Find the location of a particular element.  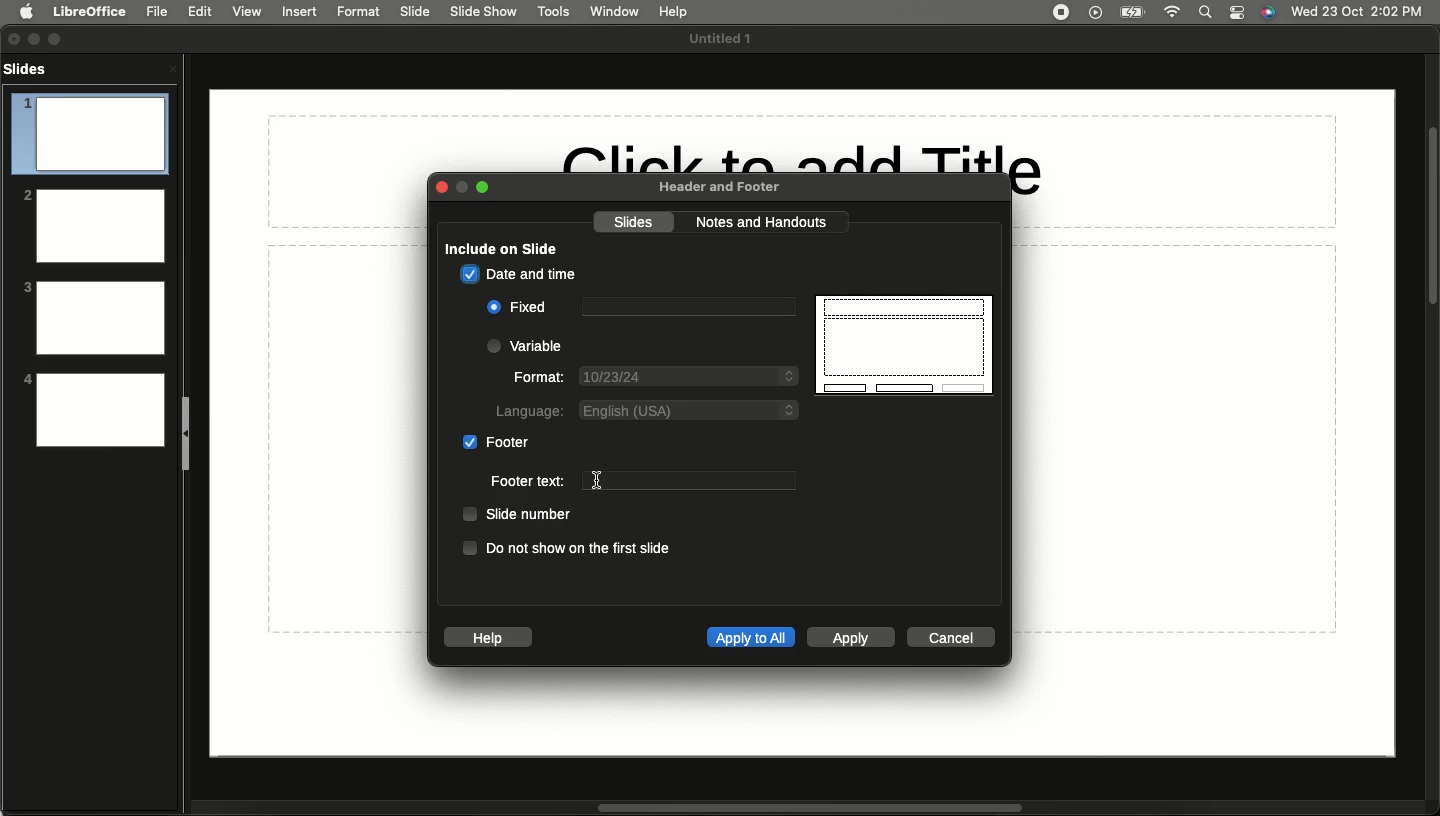

File name is located at coordinates (725, 39).